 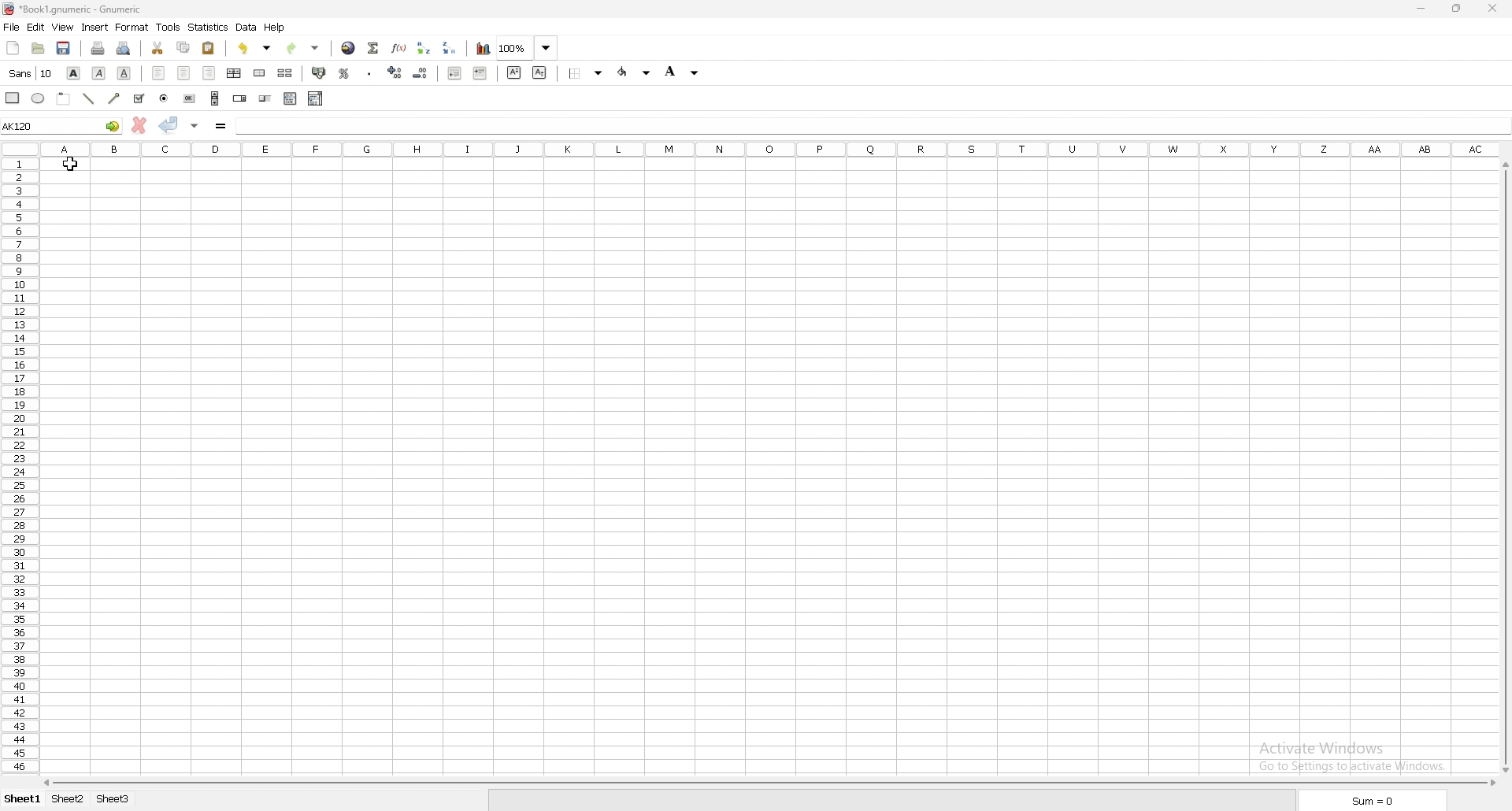 I want to click on undo, so click(x=257, y=48).